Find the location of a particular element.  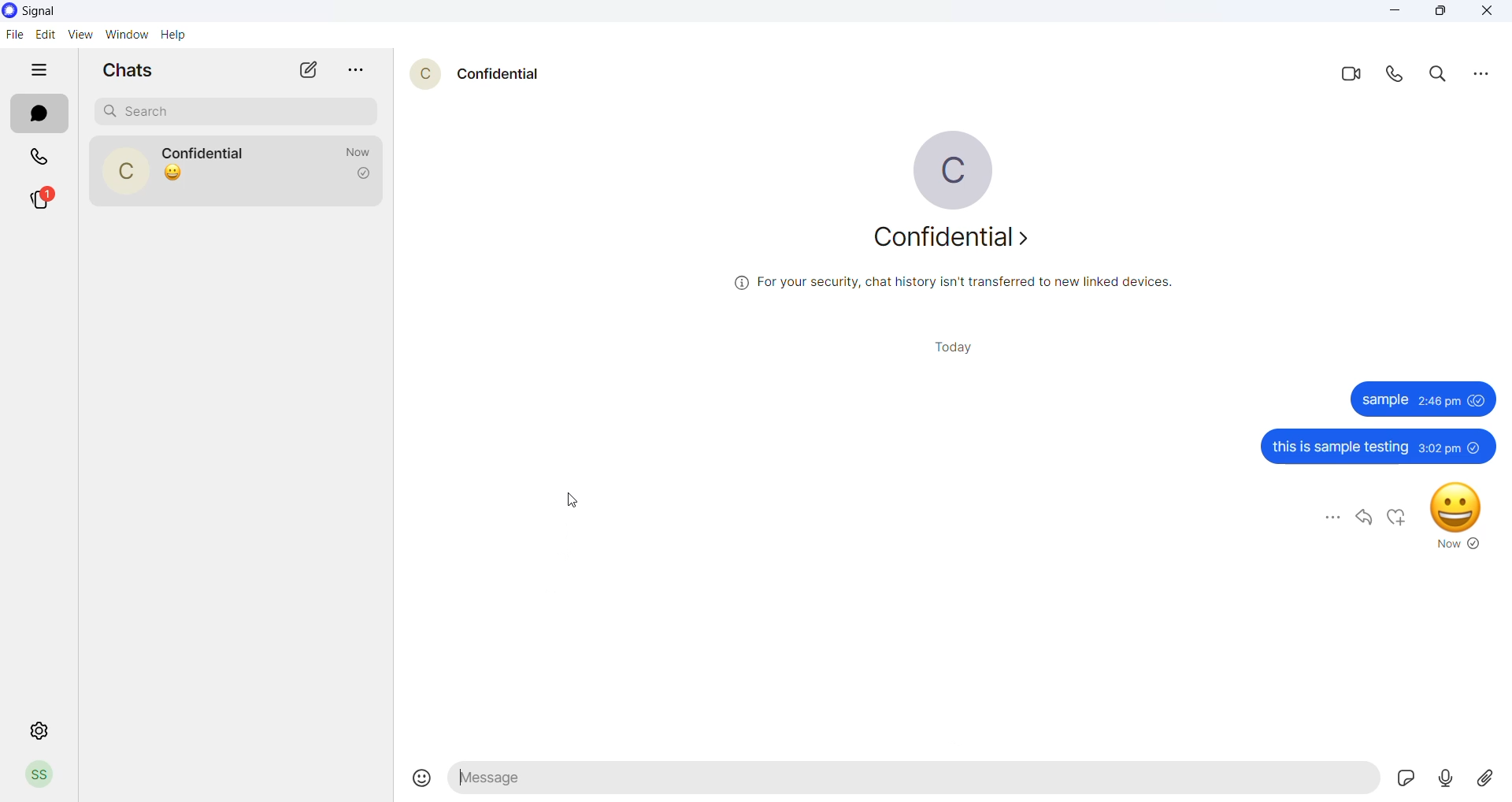

chats is located at coordinates (39, 114).